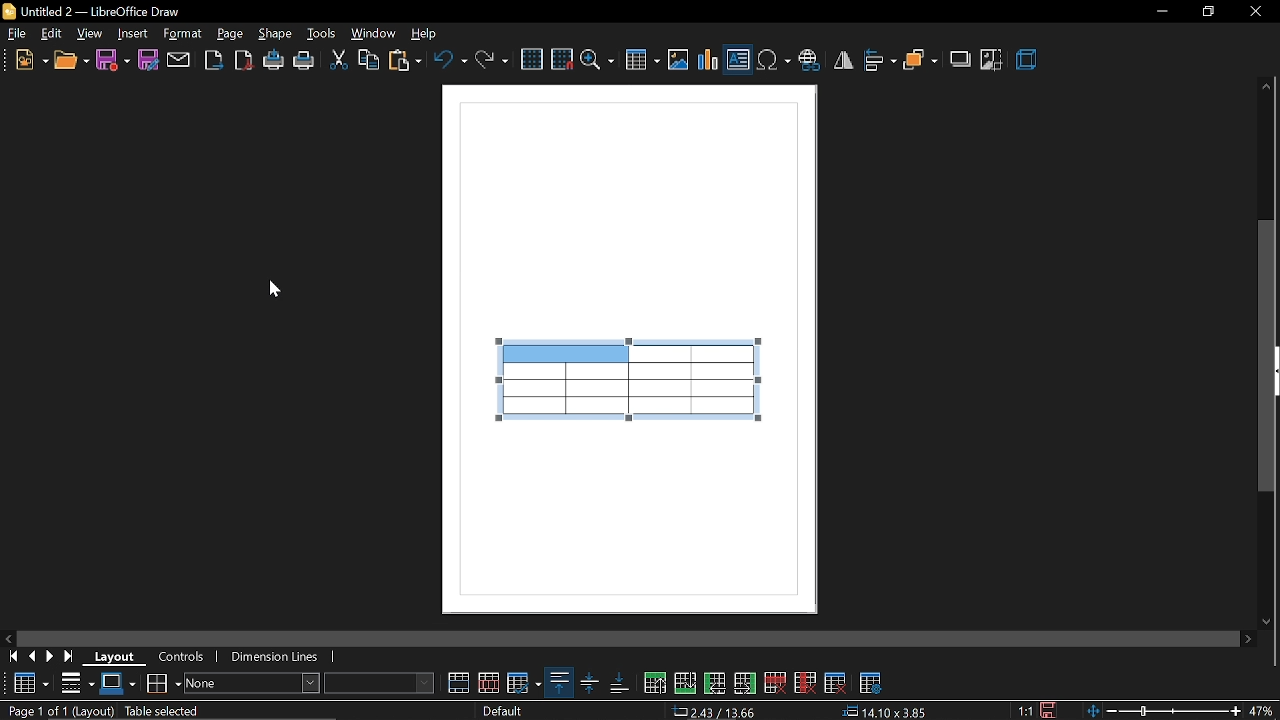 The width and height of the screenshot is (1280, 720). Describe the element at coordinates (1157, 12) in the screenshot. I see `Minimize` at that location.